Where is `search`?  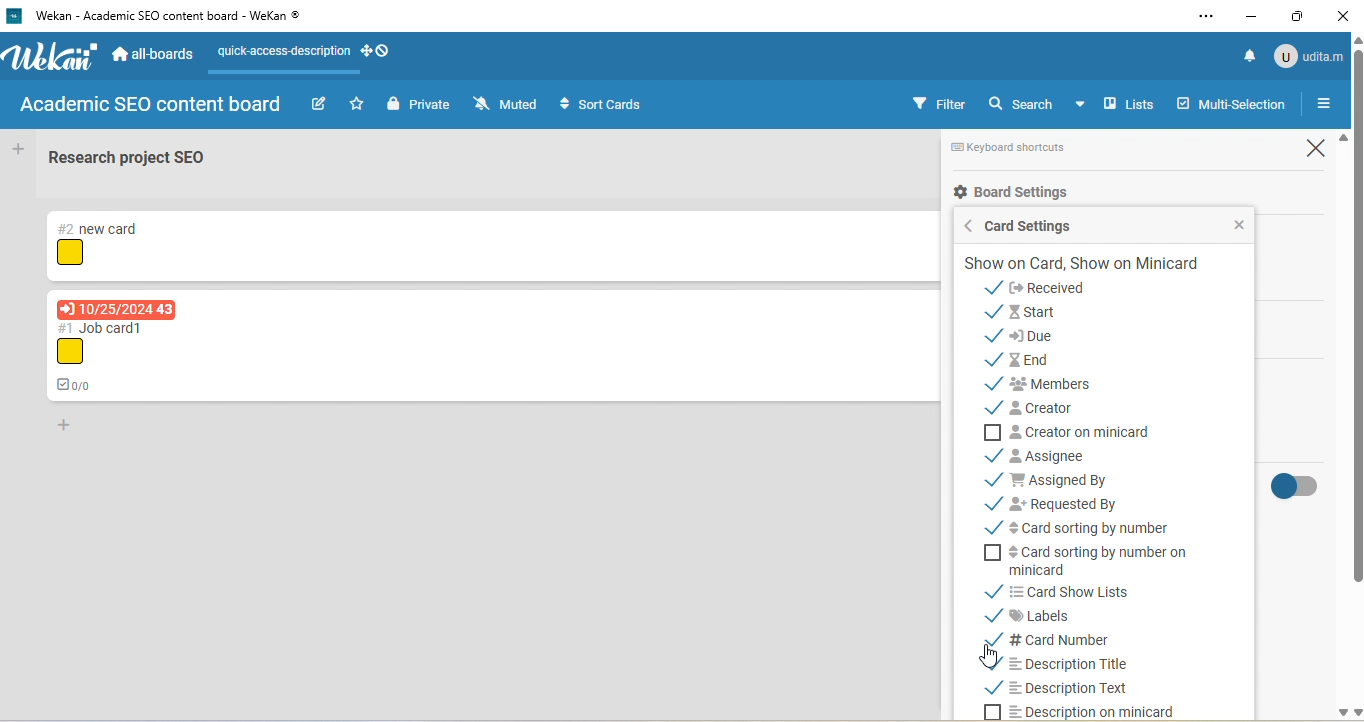
search is located at coordinates (1041, 106).